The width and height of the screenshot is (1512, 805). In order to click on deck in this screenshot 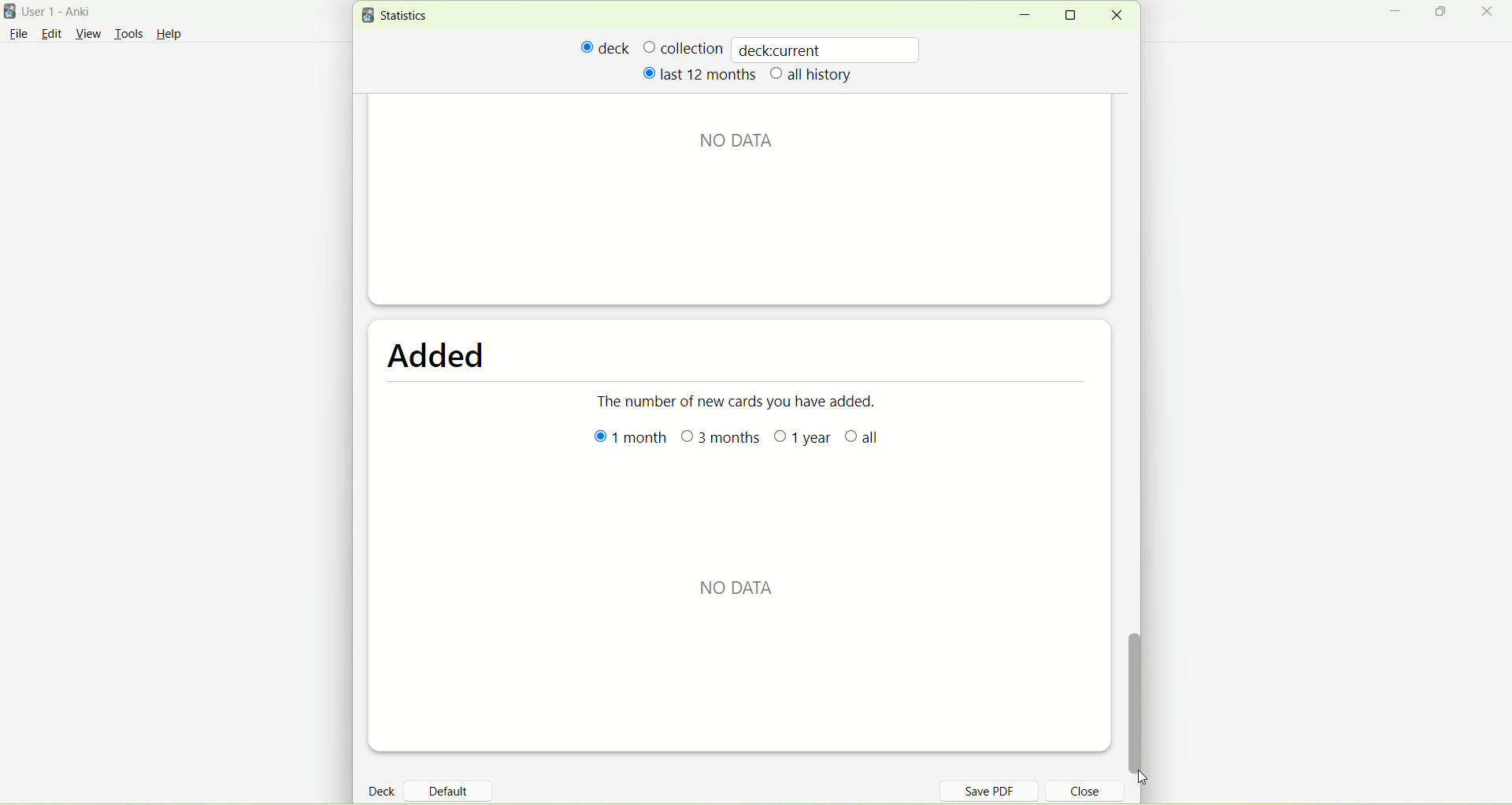, I will do `click(606, 47)`.